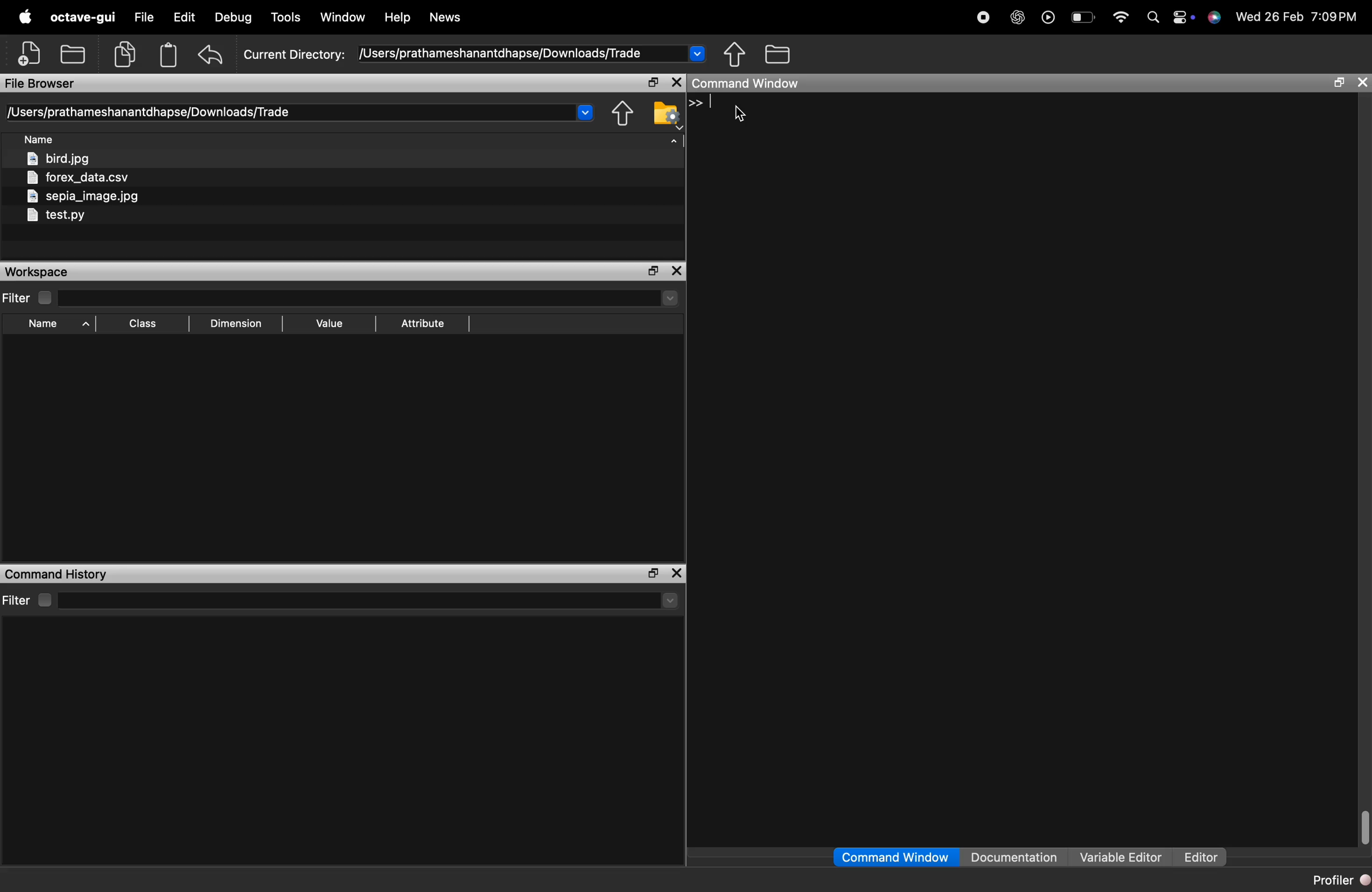 This screenshot has width=1372, height=892. What do you see at coordinates (371, 298) in the screenshot?
I see `select directory ` at bounding box center [371, 298].